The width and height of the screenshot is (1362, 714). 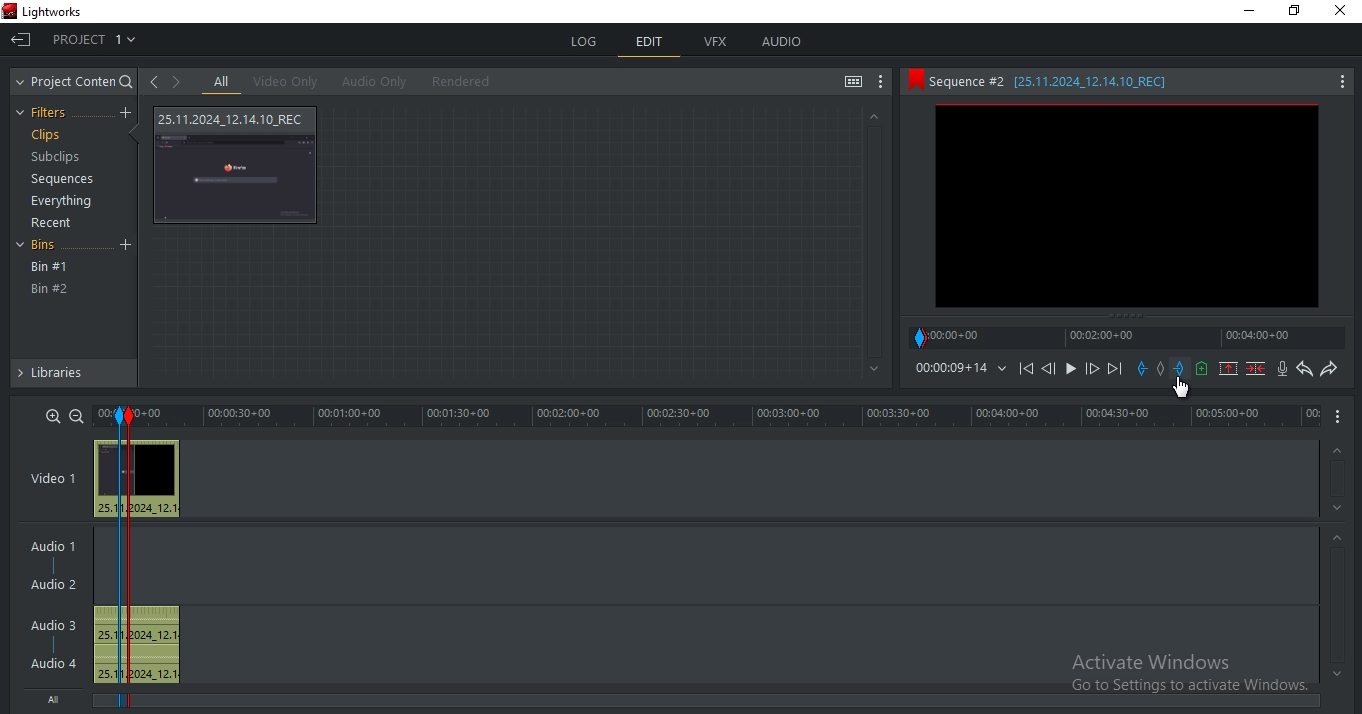 What do you see at coordinates (50, 289) in the screenshot?
I see `bin #2` at bounding box center [50, 289].